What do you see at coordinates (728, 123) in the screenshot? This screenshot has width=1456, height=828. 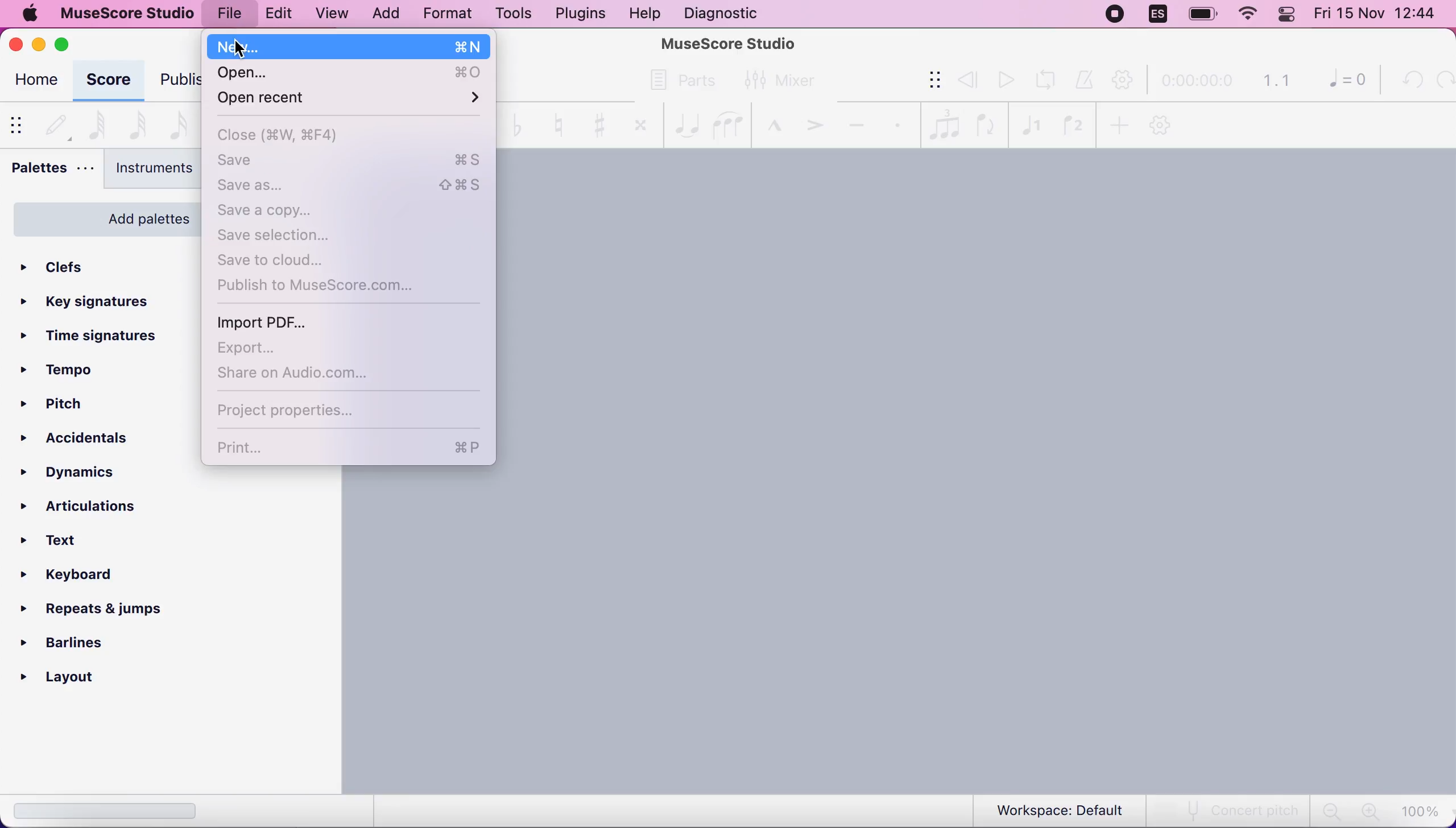 I see `slur` at bounding box center [728, 123].